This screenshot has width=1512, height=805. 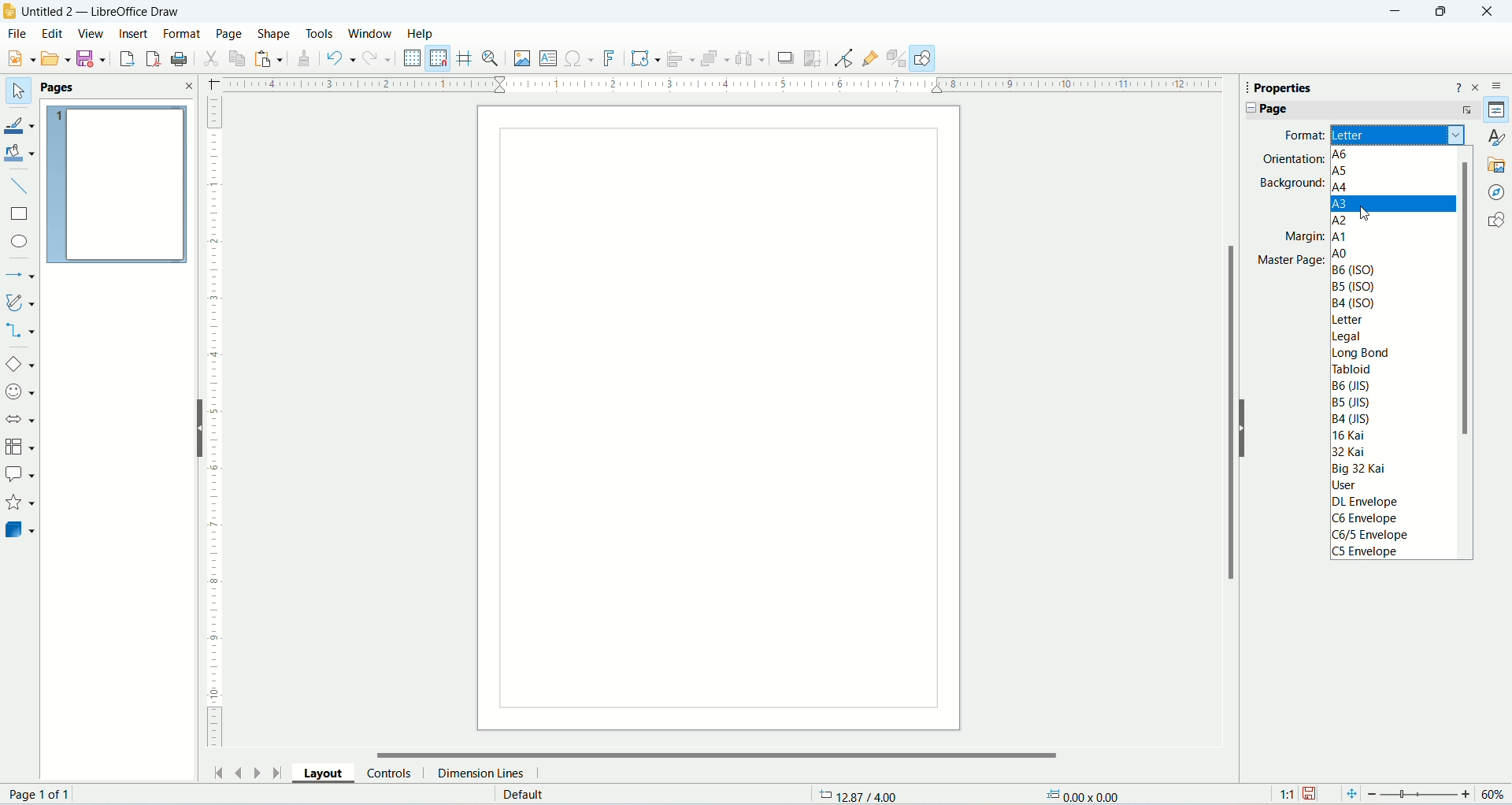 I want to click on minimize, so click(x=1400, y=11).